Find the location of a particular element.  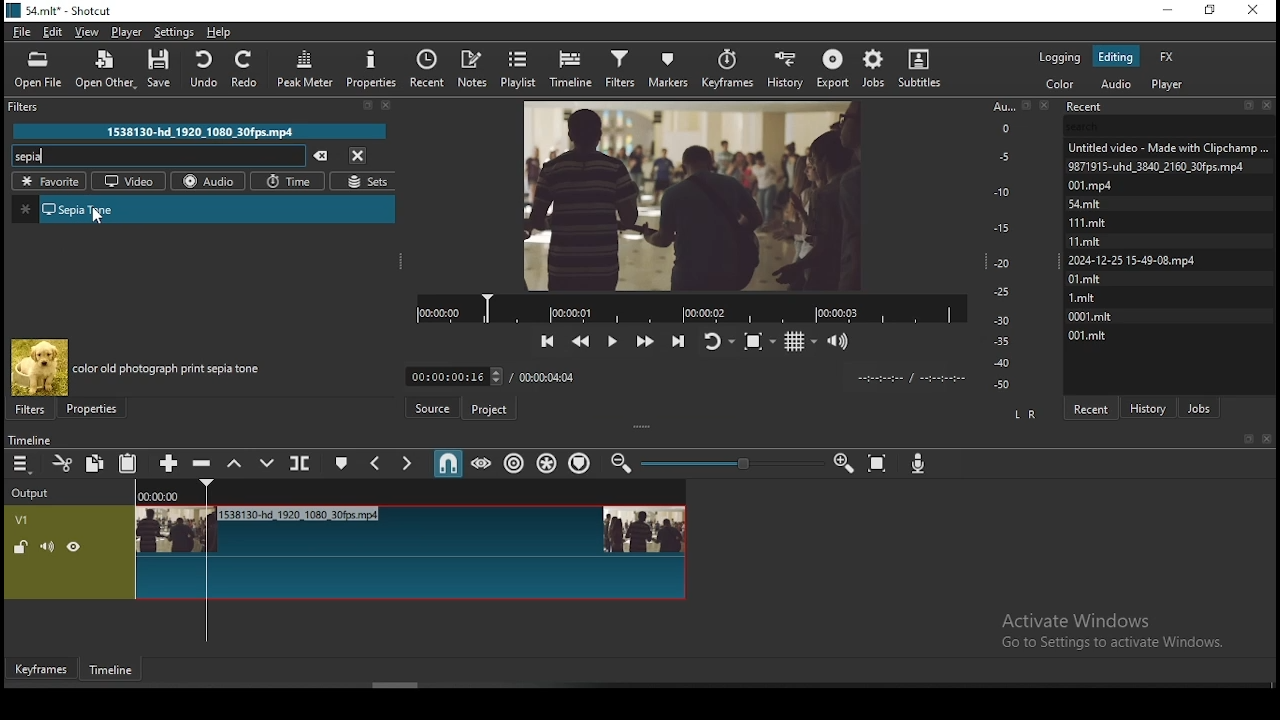

time is located at coordinates (287, 182).